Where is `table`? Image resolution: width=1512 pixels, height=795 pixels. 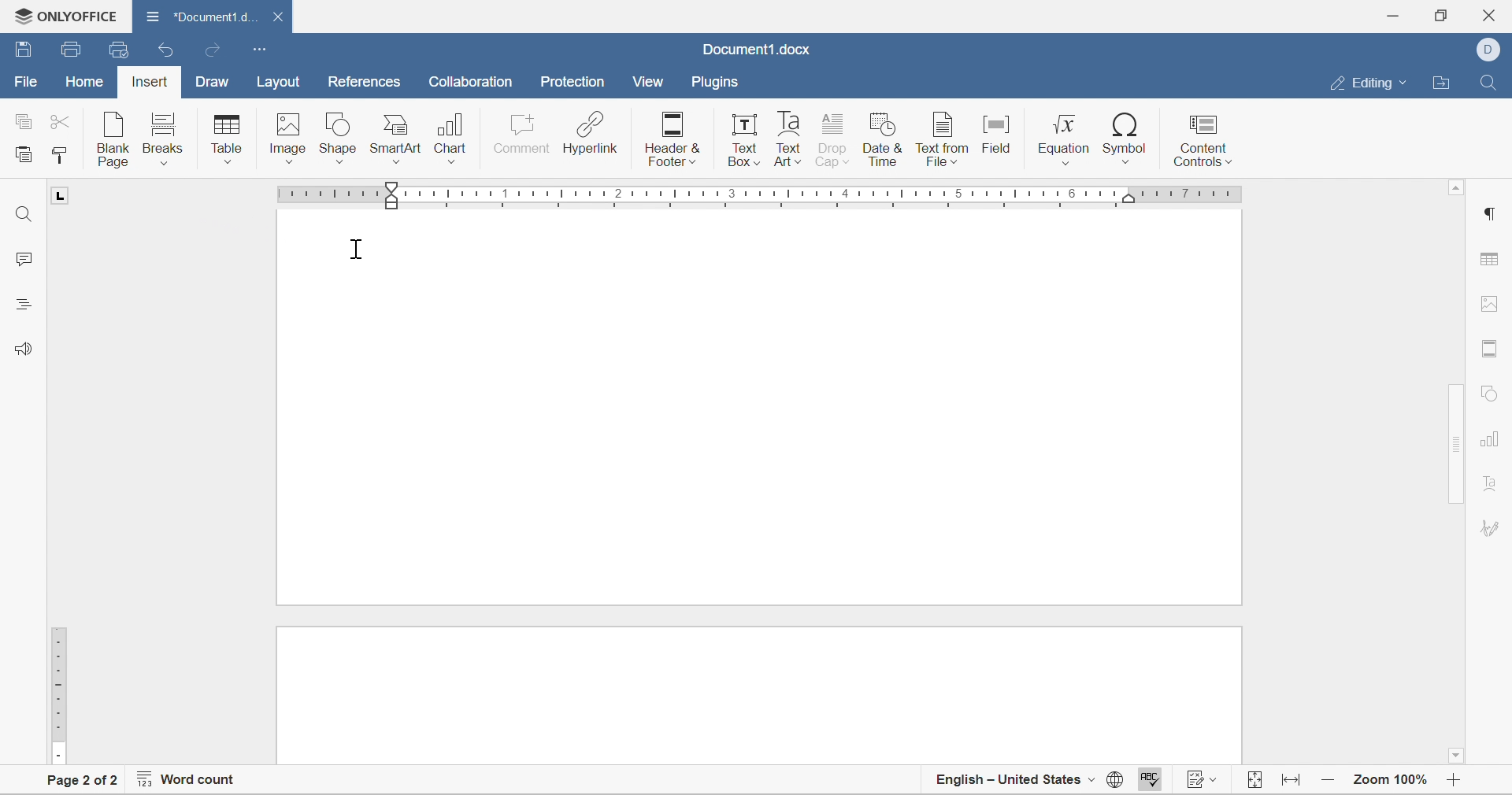 table is located at coordinates (228, 139).